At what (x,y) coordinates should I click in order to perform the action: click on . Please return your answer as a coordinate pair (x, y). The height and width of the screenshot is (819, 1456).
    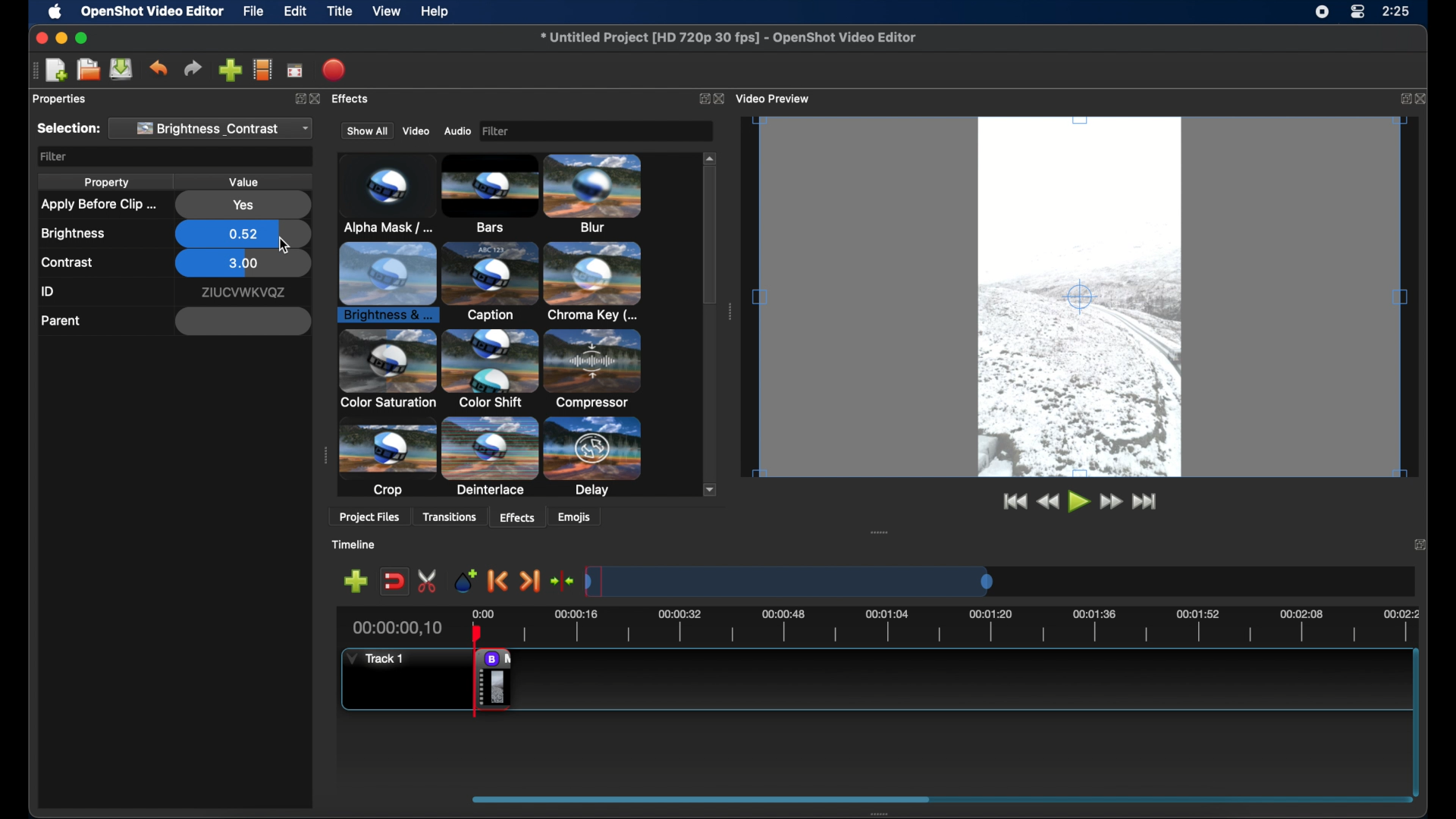
    Looking at the image, I should click on (318, 97).